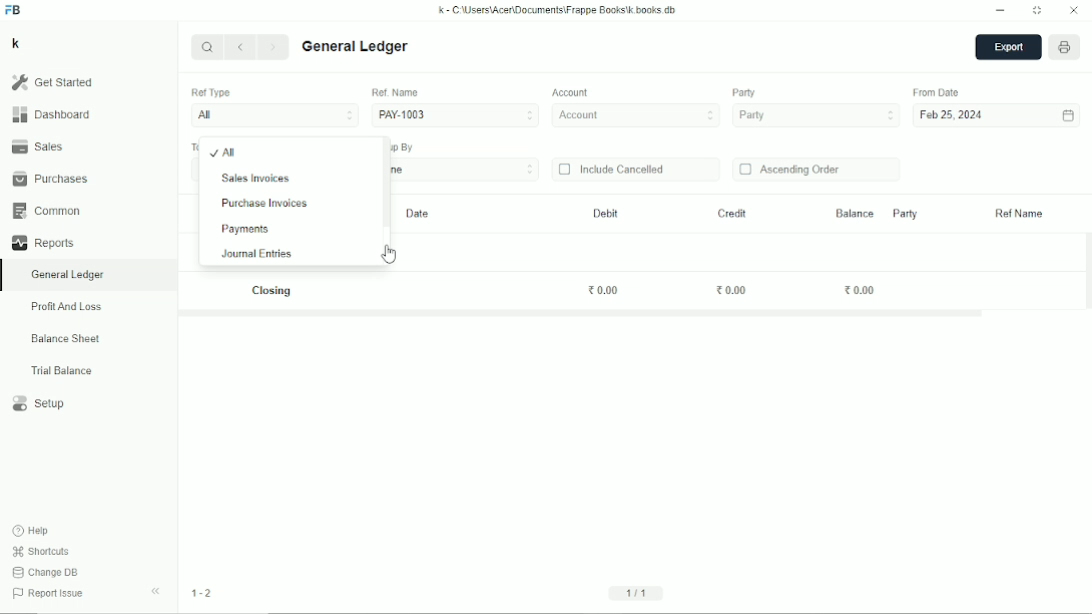 This screenshot has width=1092, height=614. I want to click on Account, so click(637, 116).